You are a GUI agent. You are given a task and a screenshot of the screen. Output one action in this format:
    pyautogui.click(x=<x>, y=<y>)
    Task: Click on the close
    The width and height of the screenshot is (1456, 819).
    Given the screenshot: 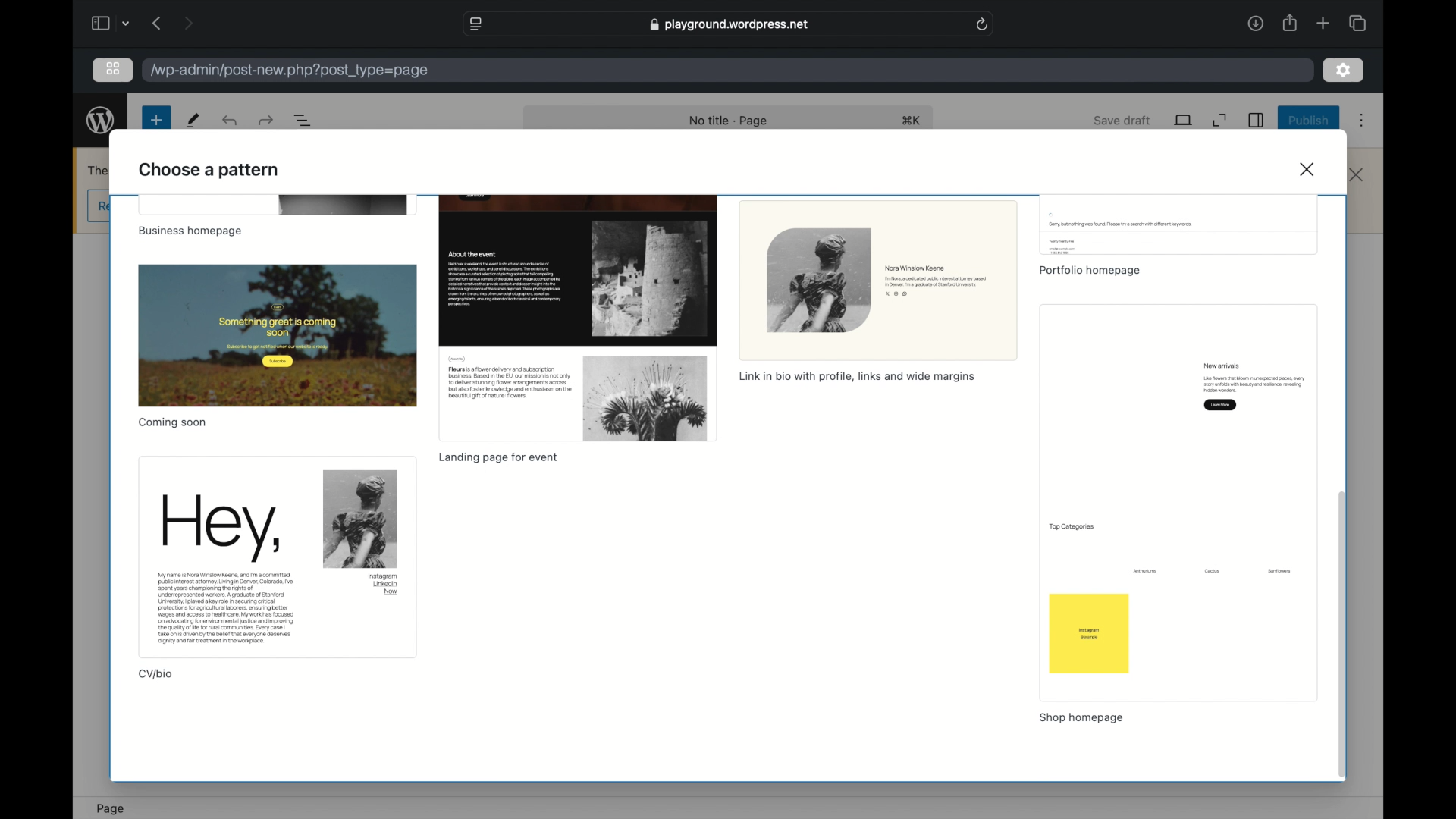 What is the action you would take?
    pyautogui.click(x=1357, y=175)
    